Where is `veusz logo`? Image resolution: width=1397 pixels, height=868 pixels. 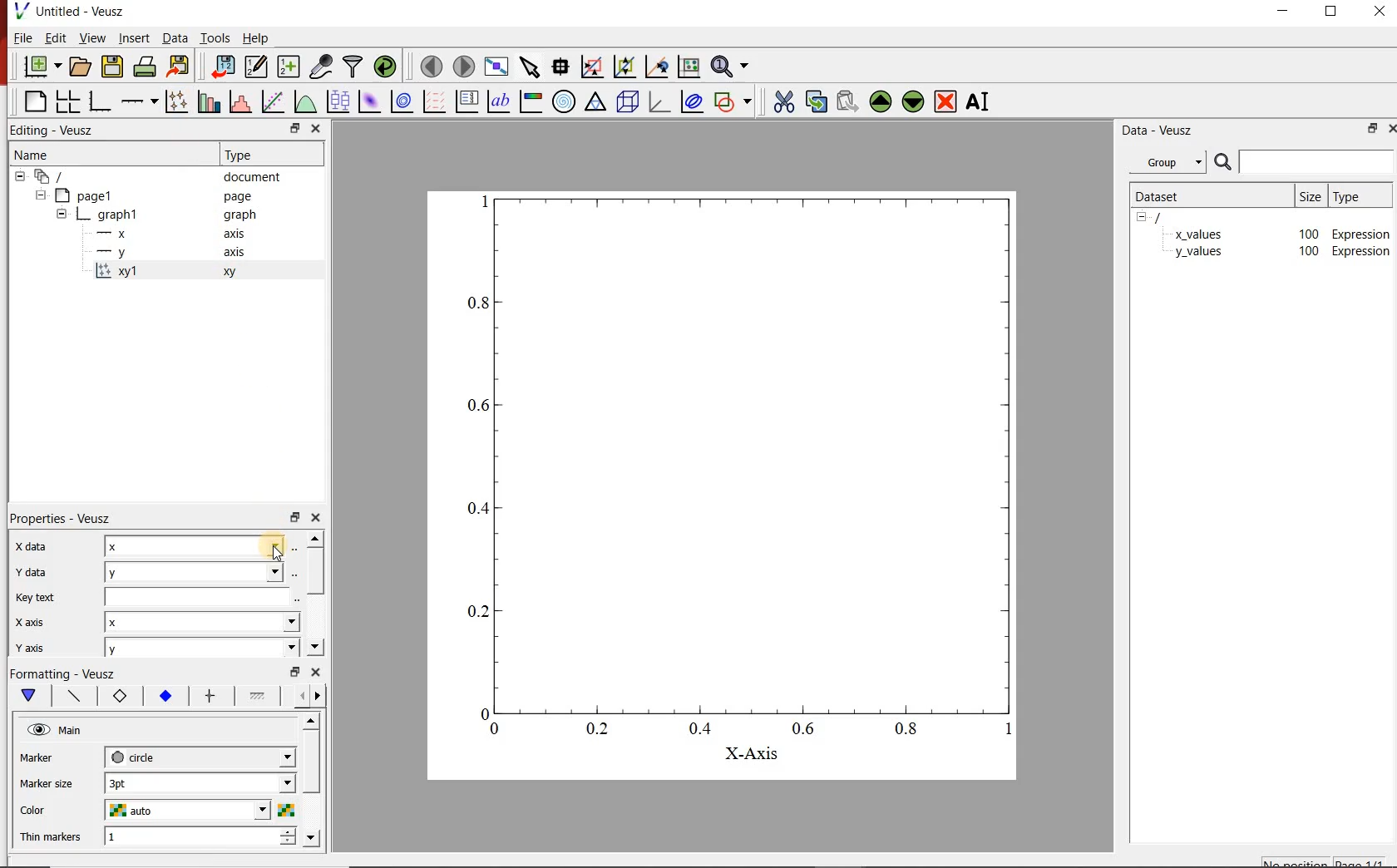 veusz logo is located at coordinates (16, 11).